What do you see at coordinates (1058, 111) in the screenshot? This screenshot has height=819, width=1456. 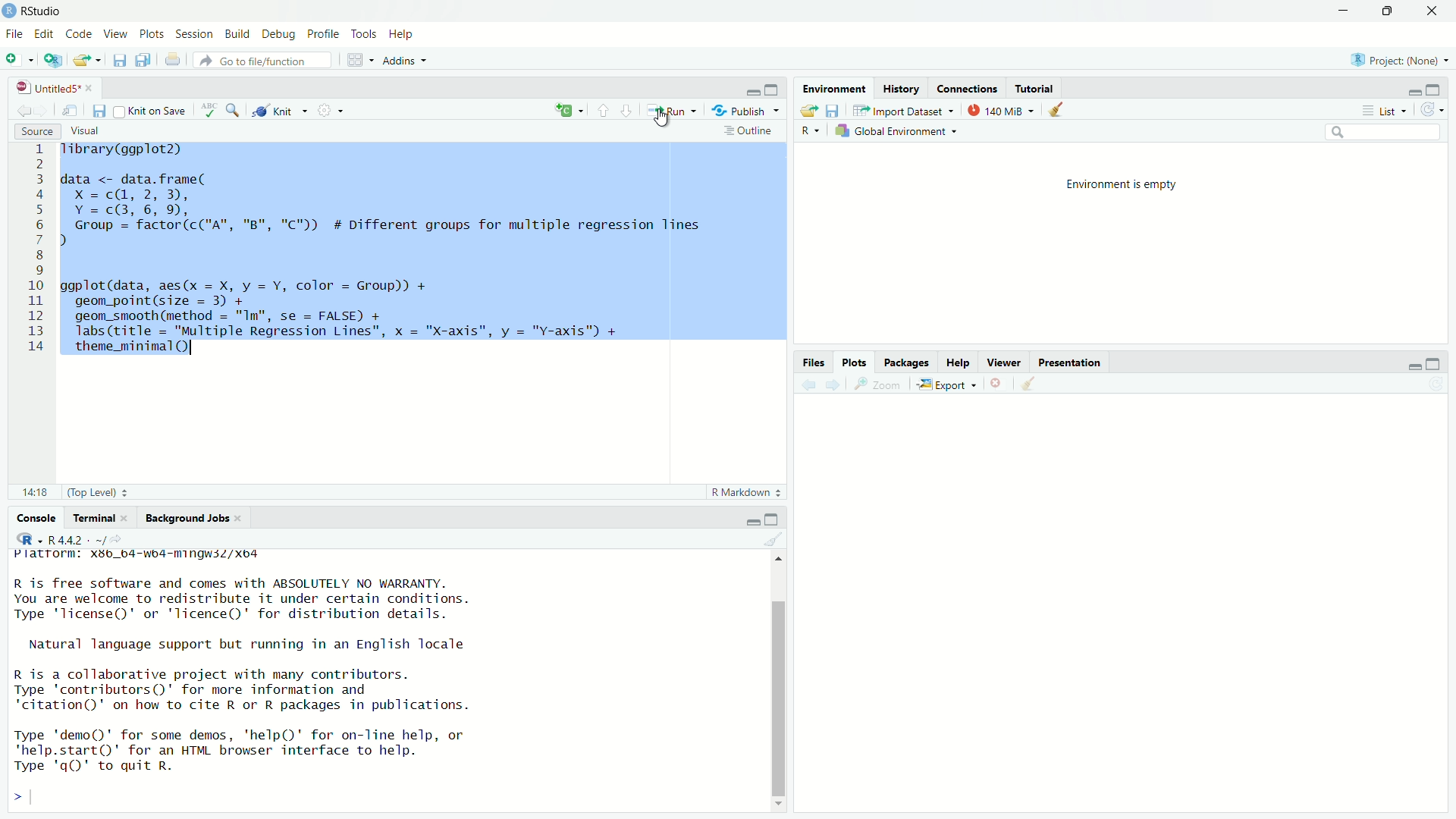 I see `clear` at bounding box center [1058, 111].